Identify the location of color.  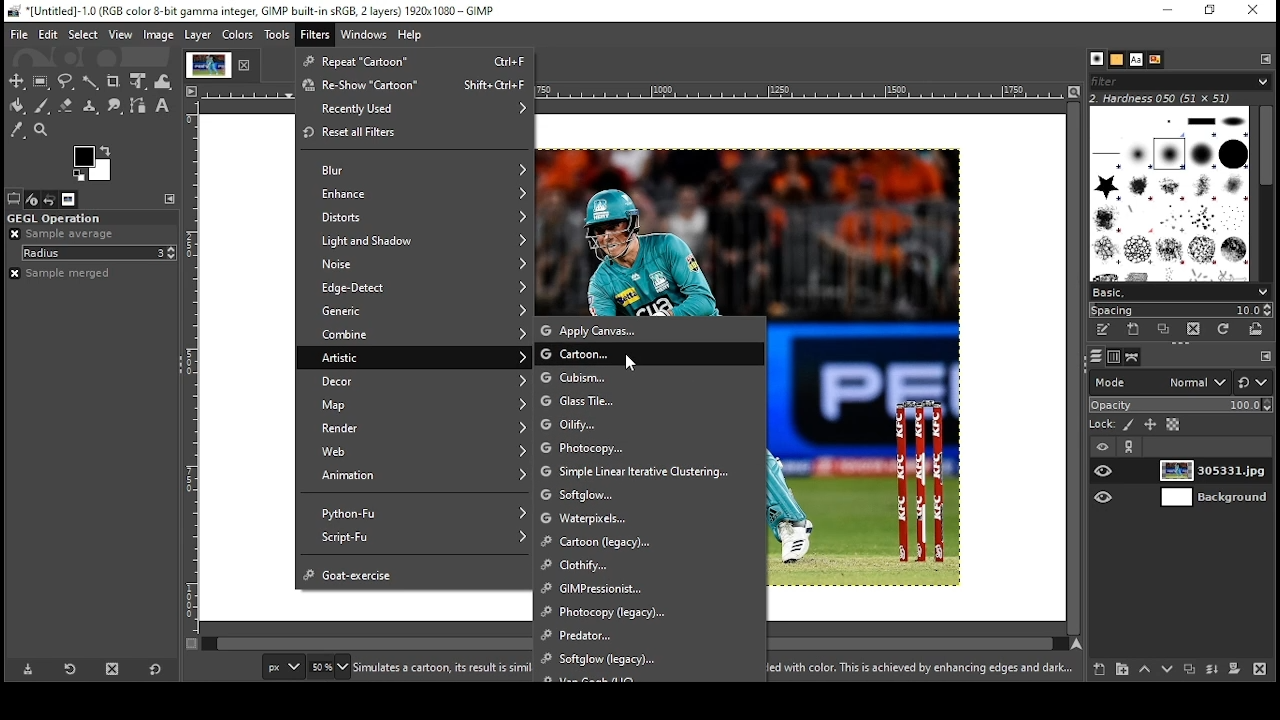
(92, 164).